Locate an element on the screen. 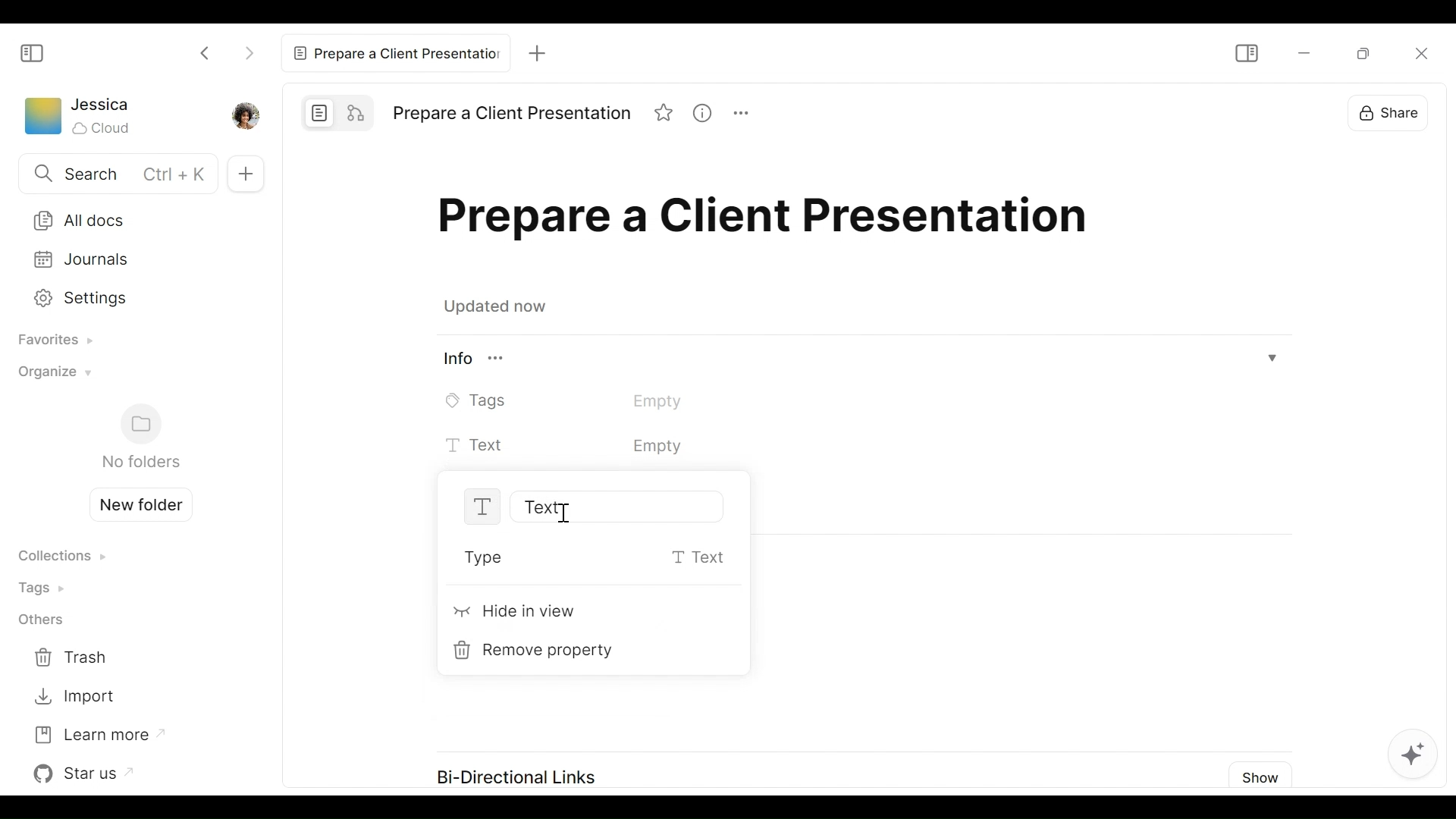  Username is located at coordinates (102, 105).